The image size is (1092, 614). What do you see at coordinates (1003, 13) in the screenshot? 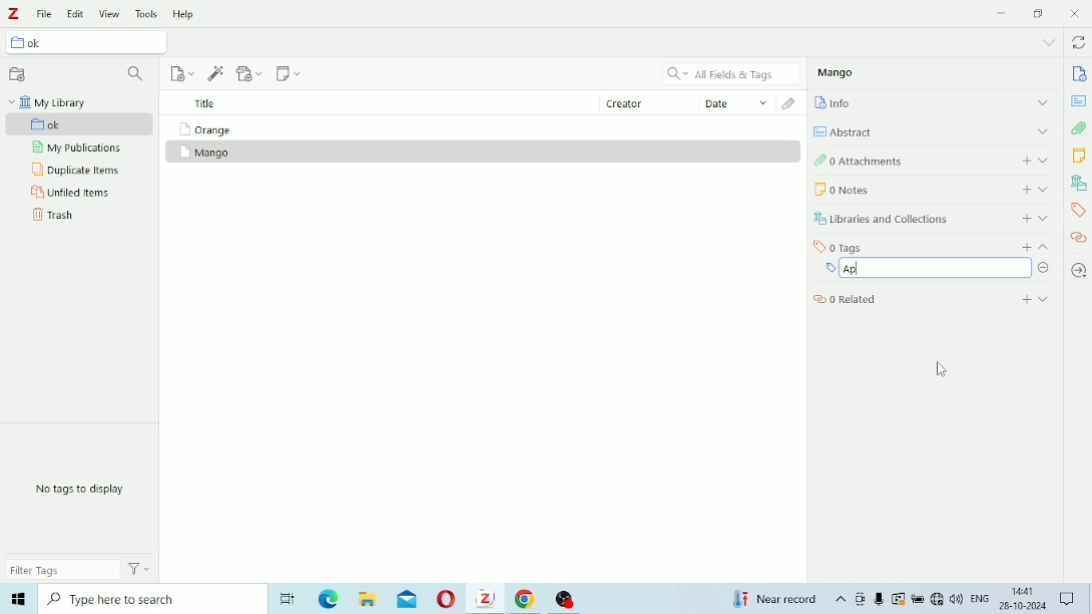
I see `Minimize` at bounding box center [1003, 13].